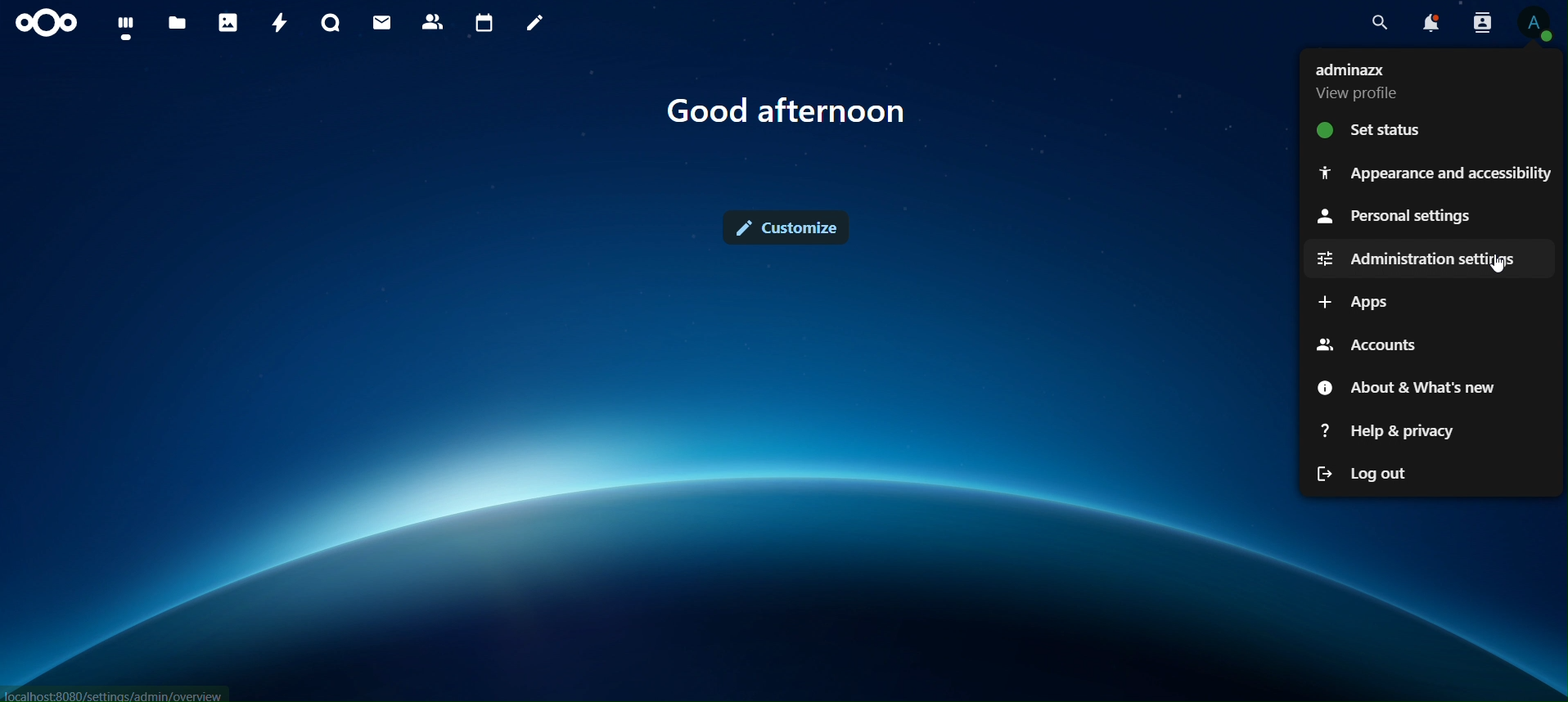  Describe the element at coordinates (777, 226) in the screenshot. I see `customize` at that location.